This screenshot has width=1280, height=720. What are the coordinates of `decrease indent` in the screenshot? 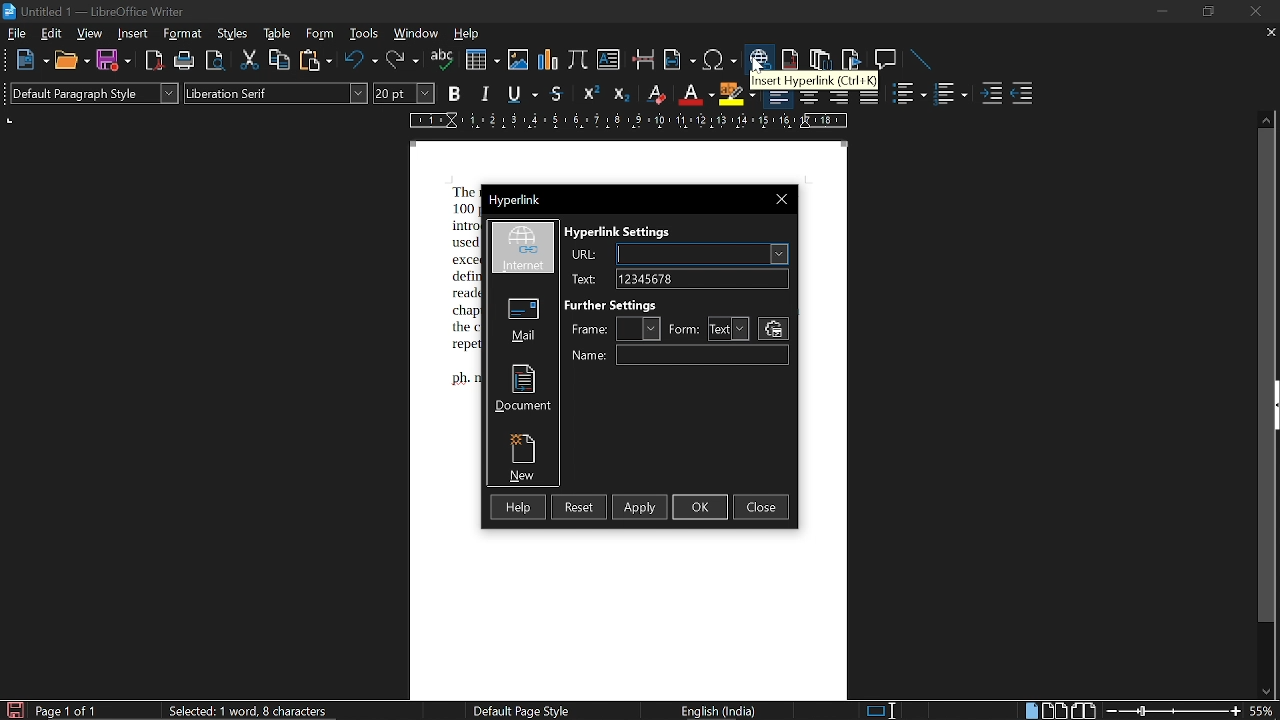 It's located at (1024, 96).